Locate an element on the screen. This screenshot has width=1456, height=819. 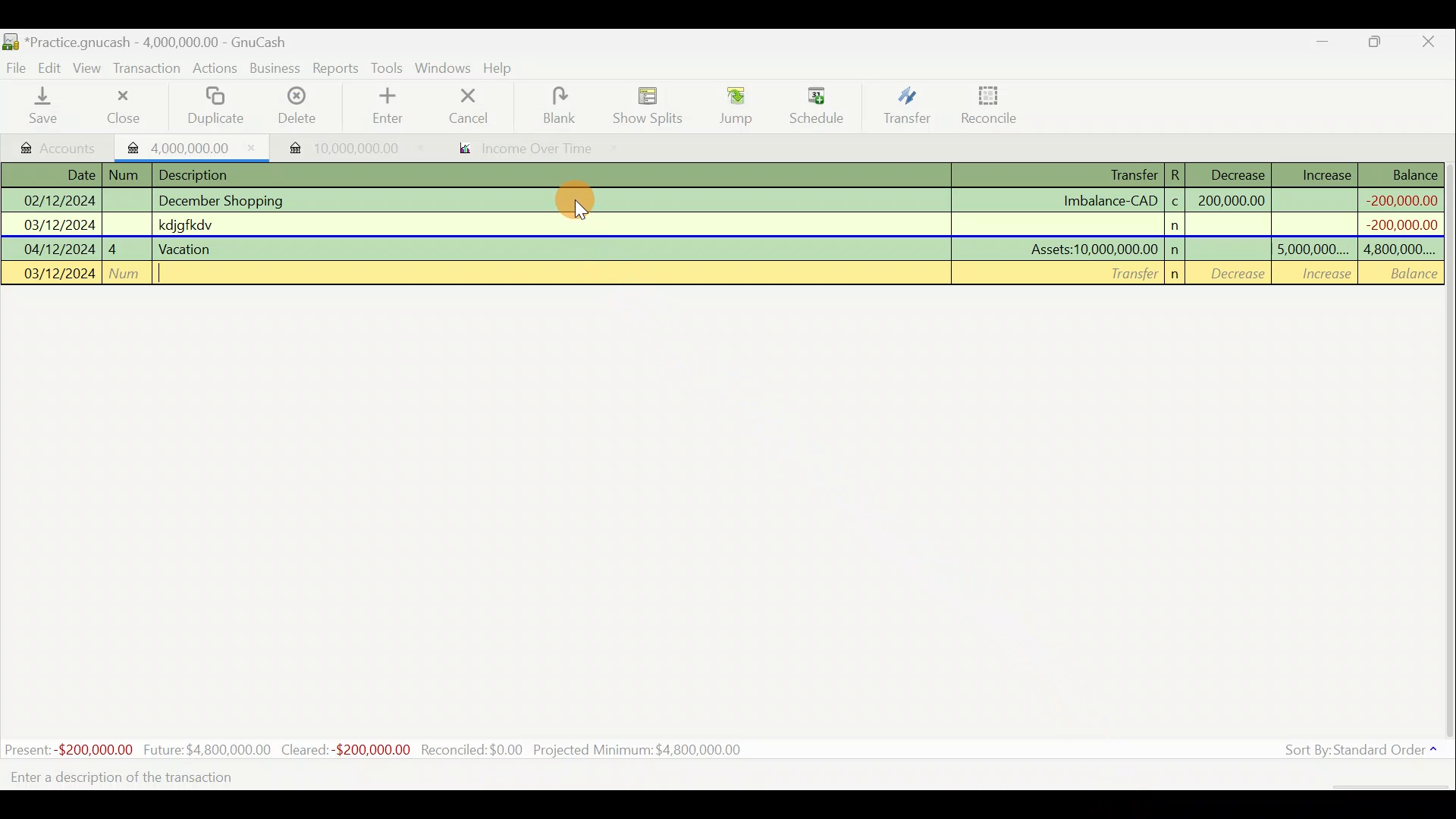
Duplicate is located at coordinates (212, 107).